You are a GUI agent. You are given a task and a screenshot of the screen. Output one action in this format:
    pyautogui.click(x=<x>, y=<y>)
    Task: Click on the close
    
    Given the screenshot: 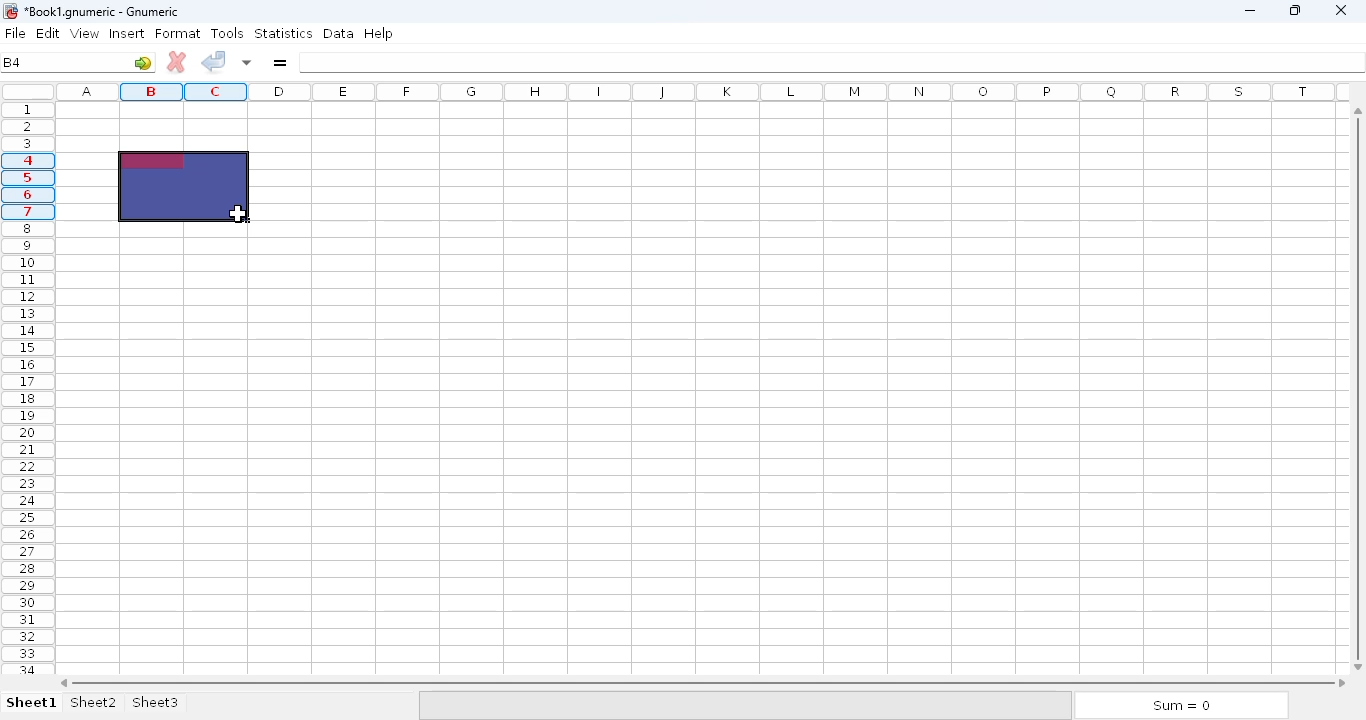 What is the action you would take?
    pyautogui.click(x=1341, y=17)
    